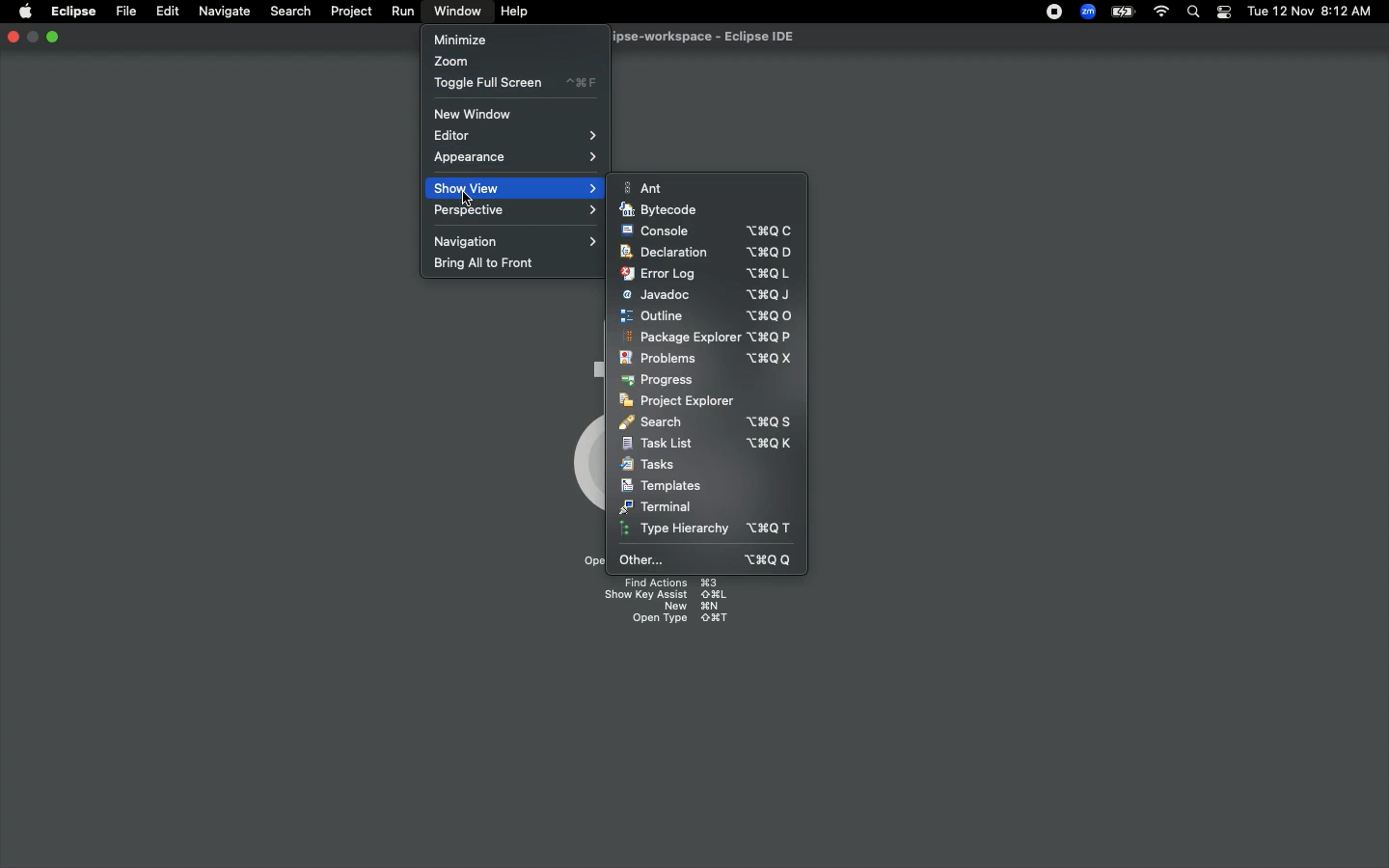 This screenshot has width=1389, height=868. Describe the element at coordinates (1309, 11) in the screenshot. I see `Date/time` at that location.